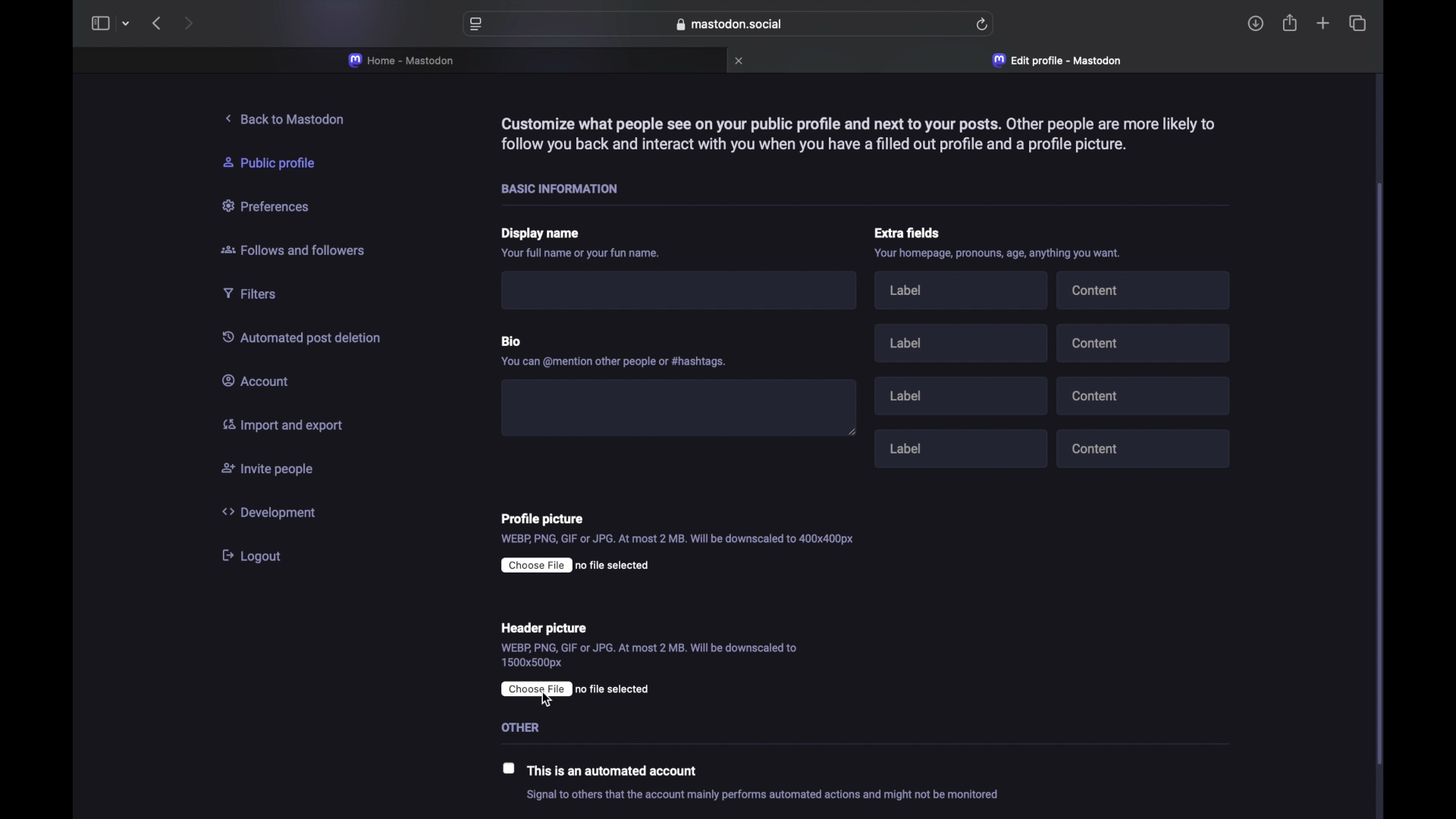  I want to click on bio, so click(515, 337).